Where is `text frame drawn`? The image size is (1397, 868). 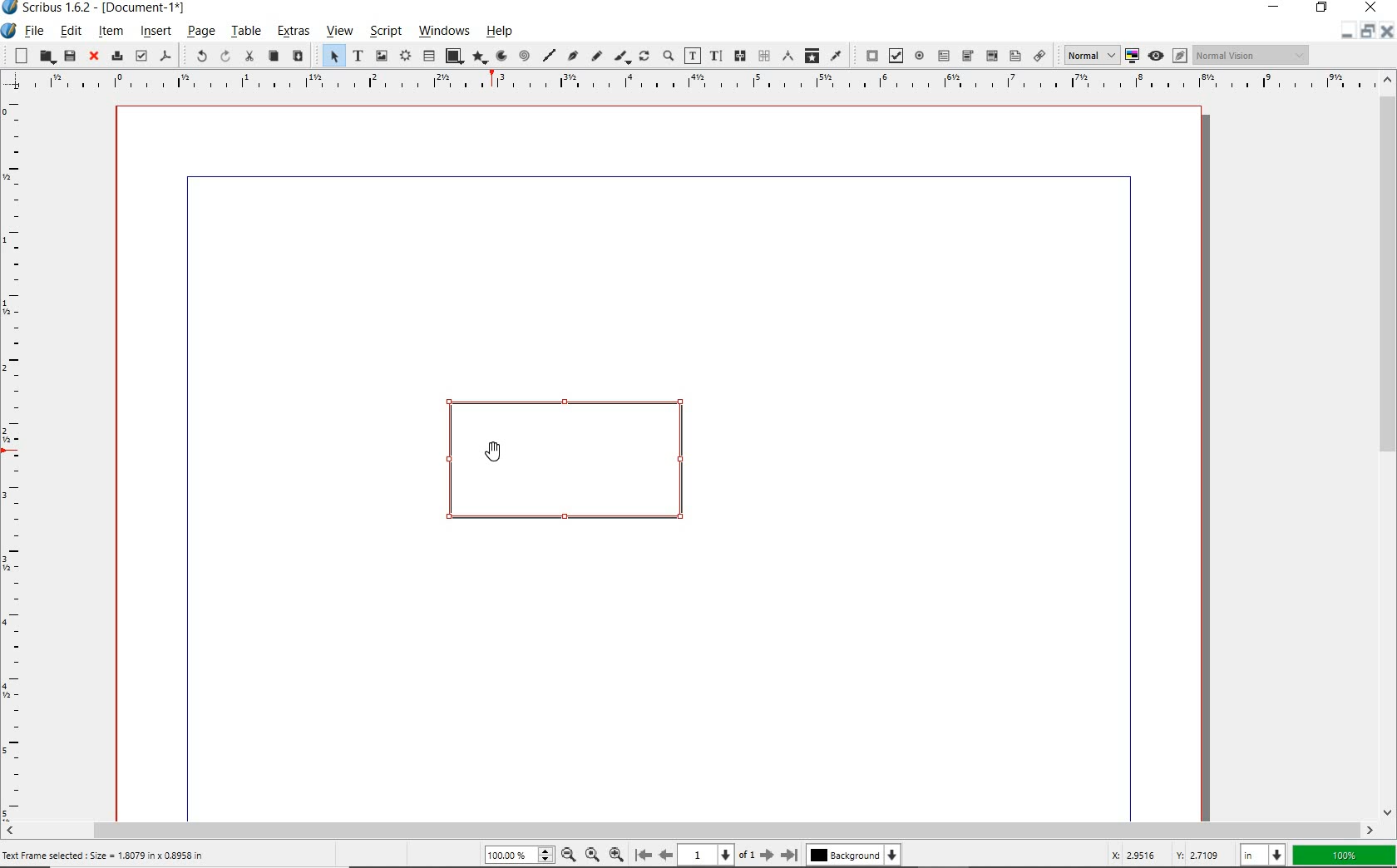 text frame drawn is located at coordinates (570, 461).